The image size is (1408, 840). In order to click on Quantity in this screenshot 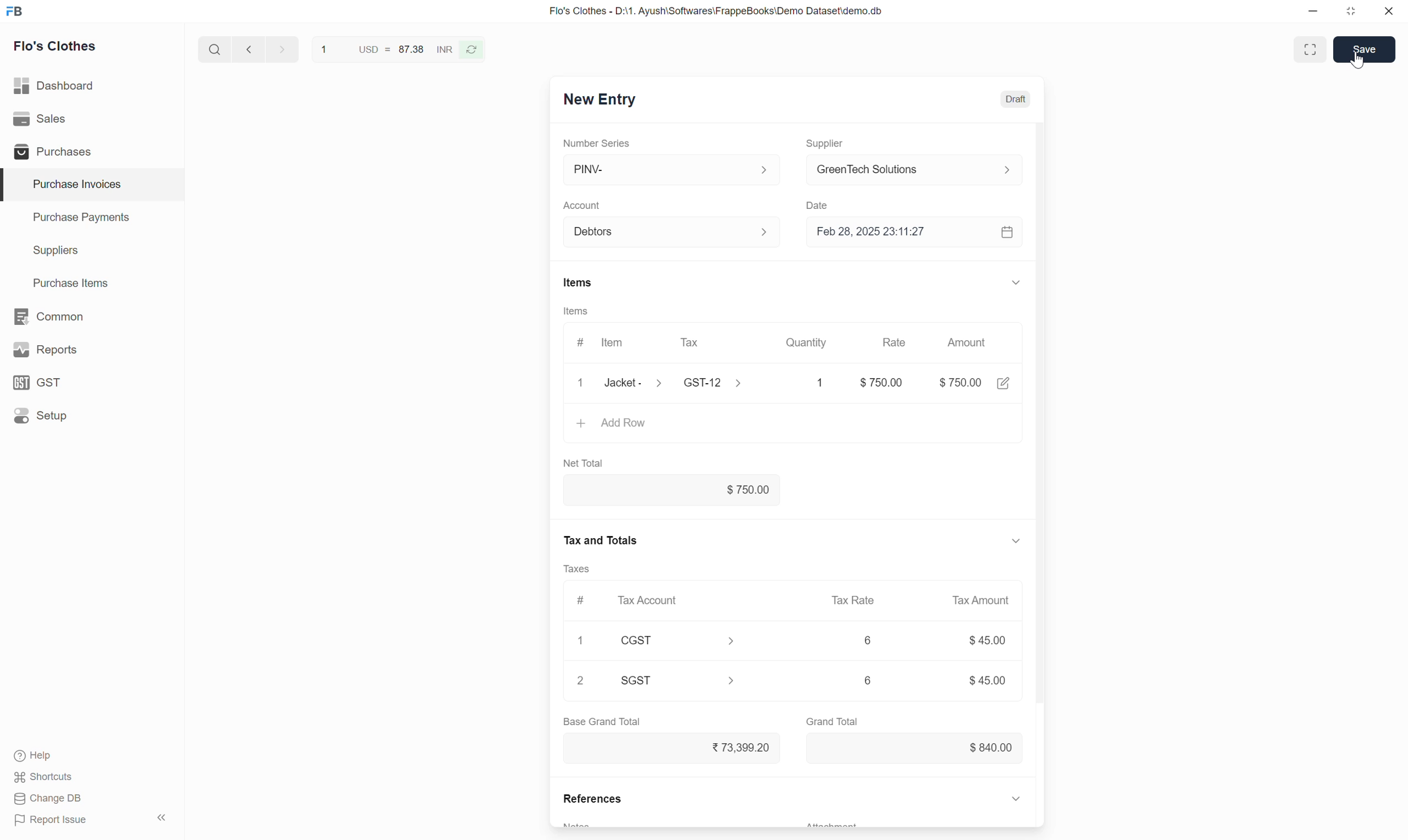, I will do `click(807, 342)`.